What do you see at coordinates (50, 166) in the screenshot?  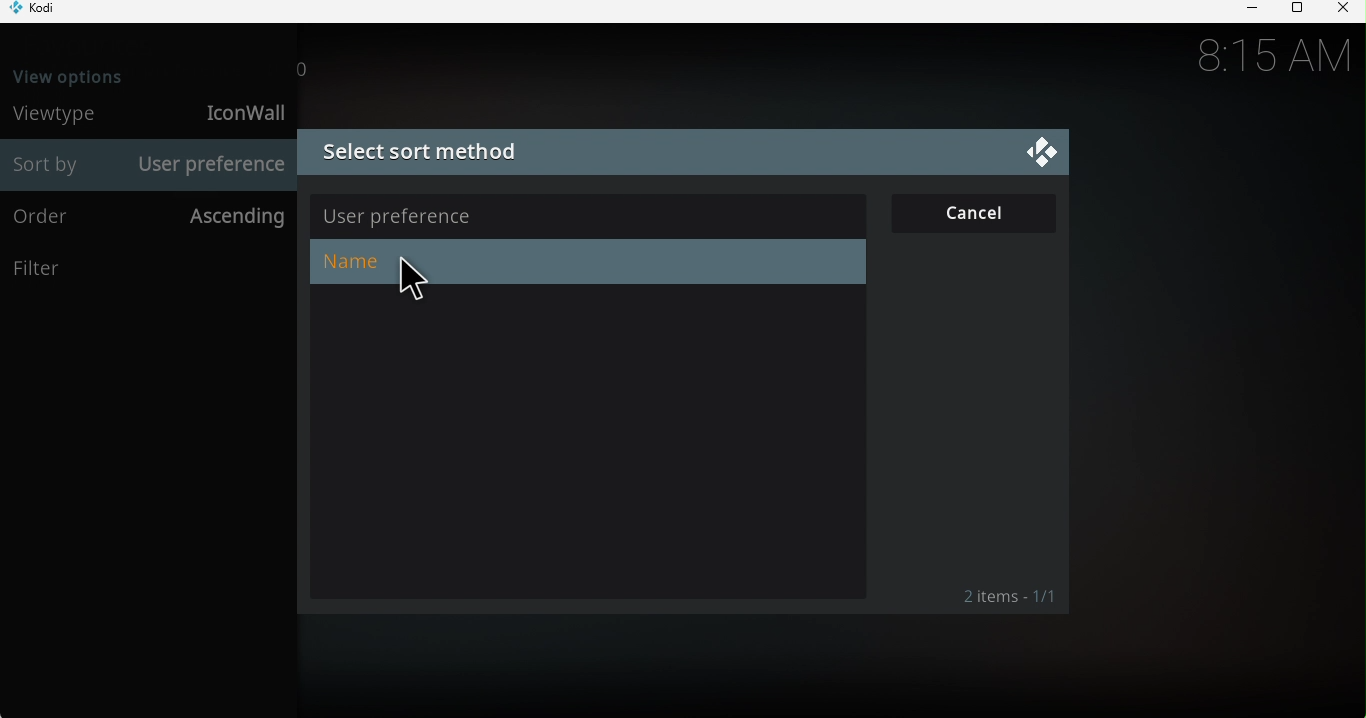 I see `Sort by` at bounding box center [50, 166].